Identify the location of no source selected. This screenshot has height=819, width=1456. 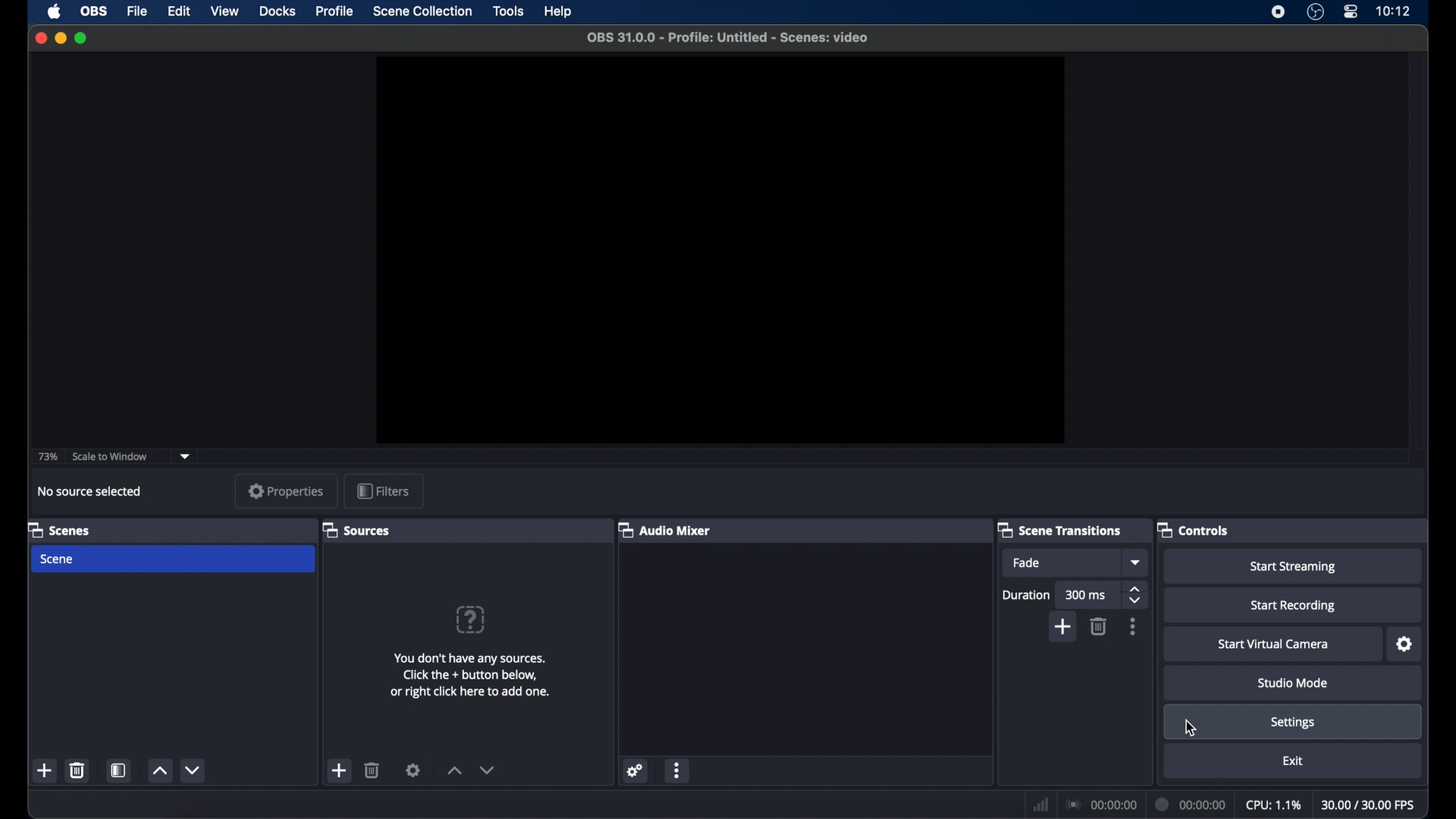
(90, 491).